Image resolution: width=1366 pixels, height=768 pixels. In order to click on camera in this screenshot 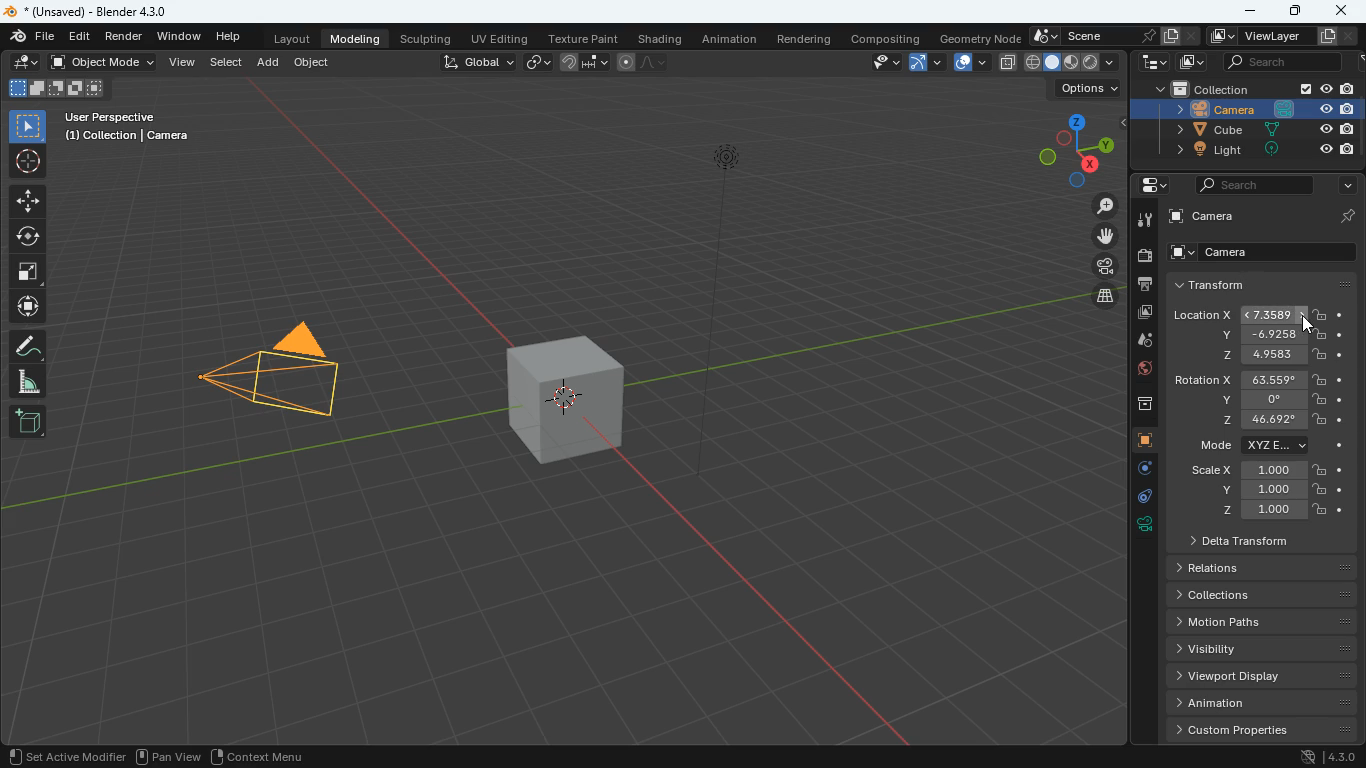, I will do `click(1260, 253)`.